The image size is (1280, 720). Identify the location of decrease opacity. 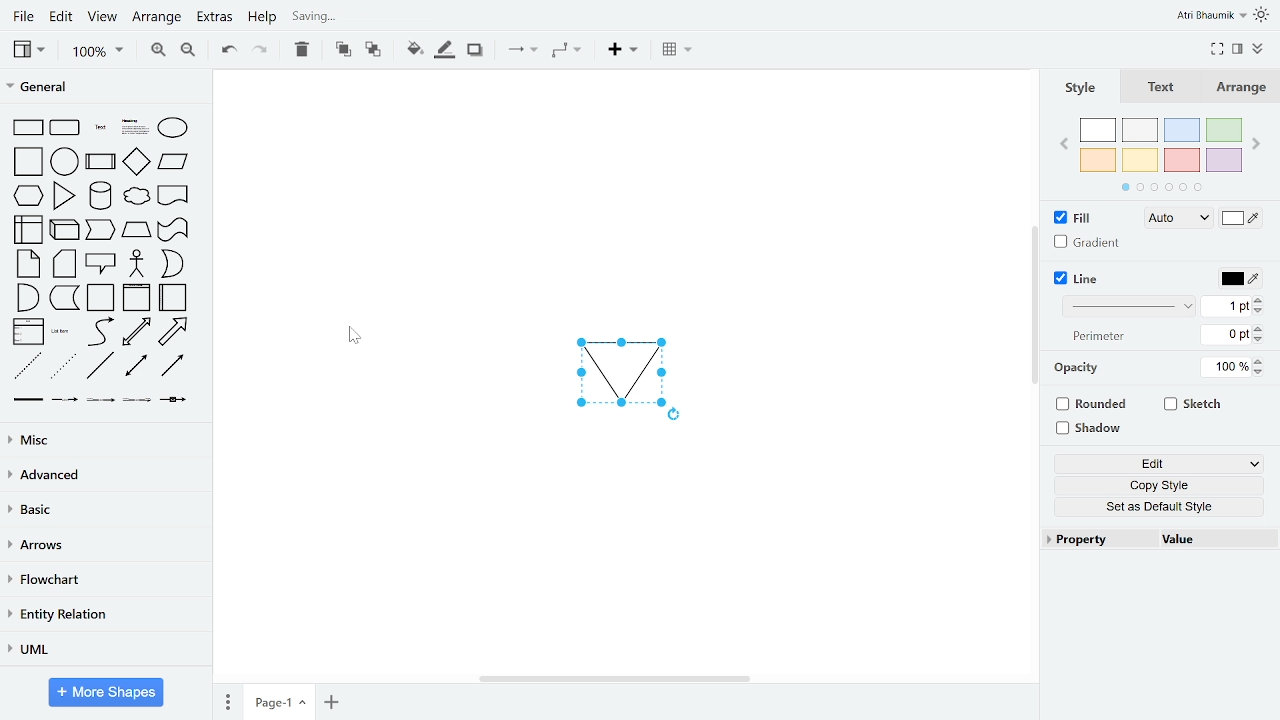
(1262, 373).